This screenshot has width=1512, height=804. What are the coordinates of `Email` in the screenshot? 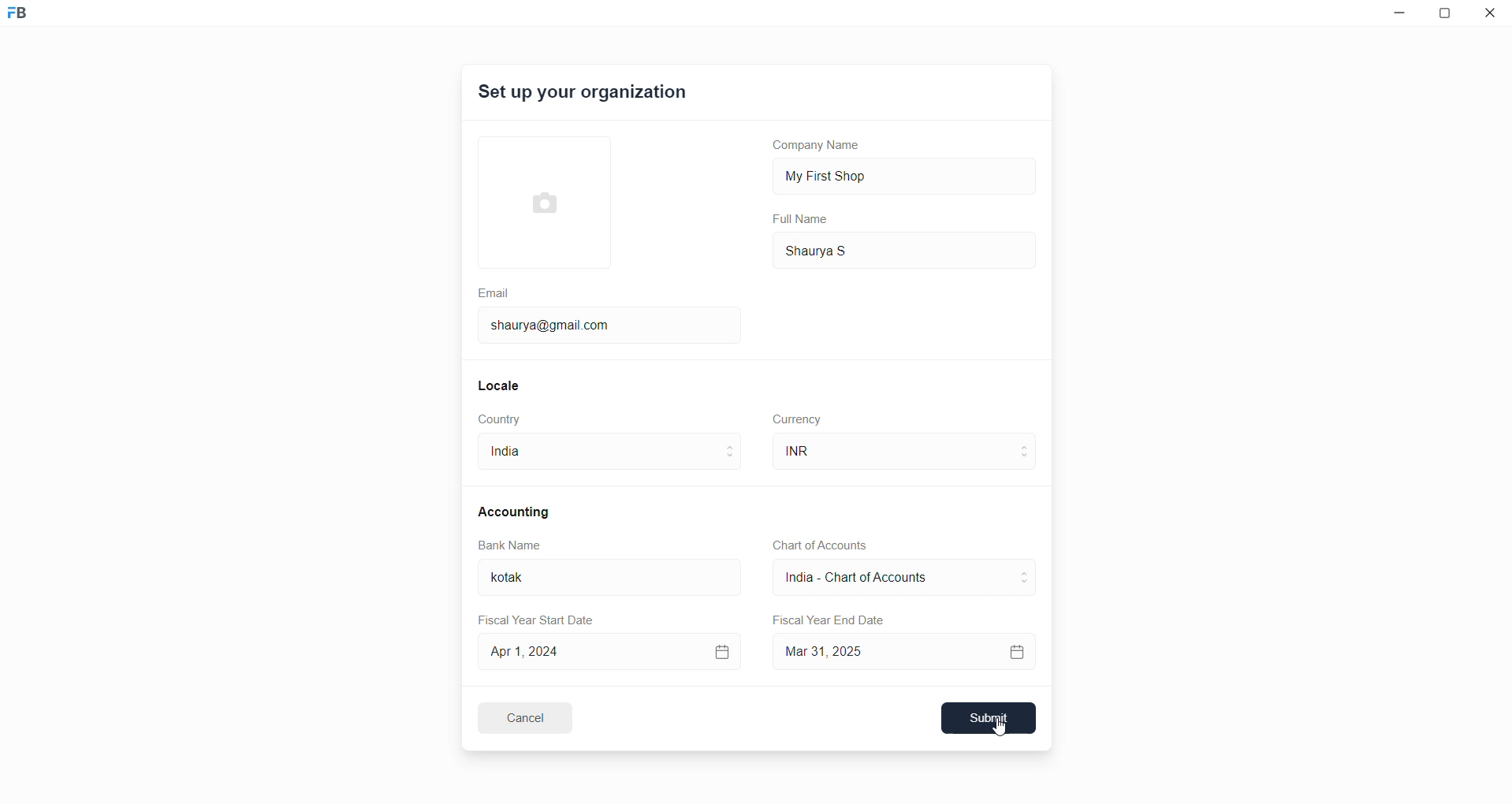 It's located at (496, 291).